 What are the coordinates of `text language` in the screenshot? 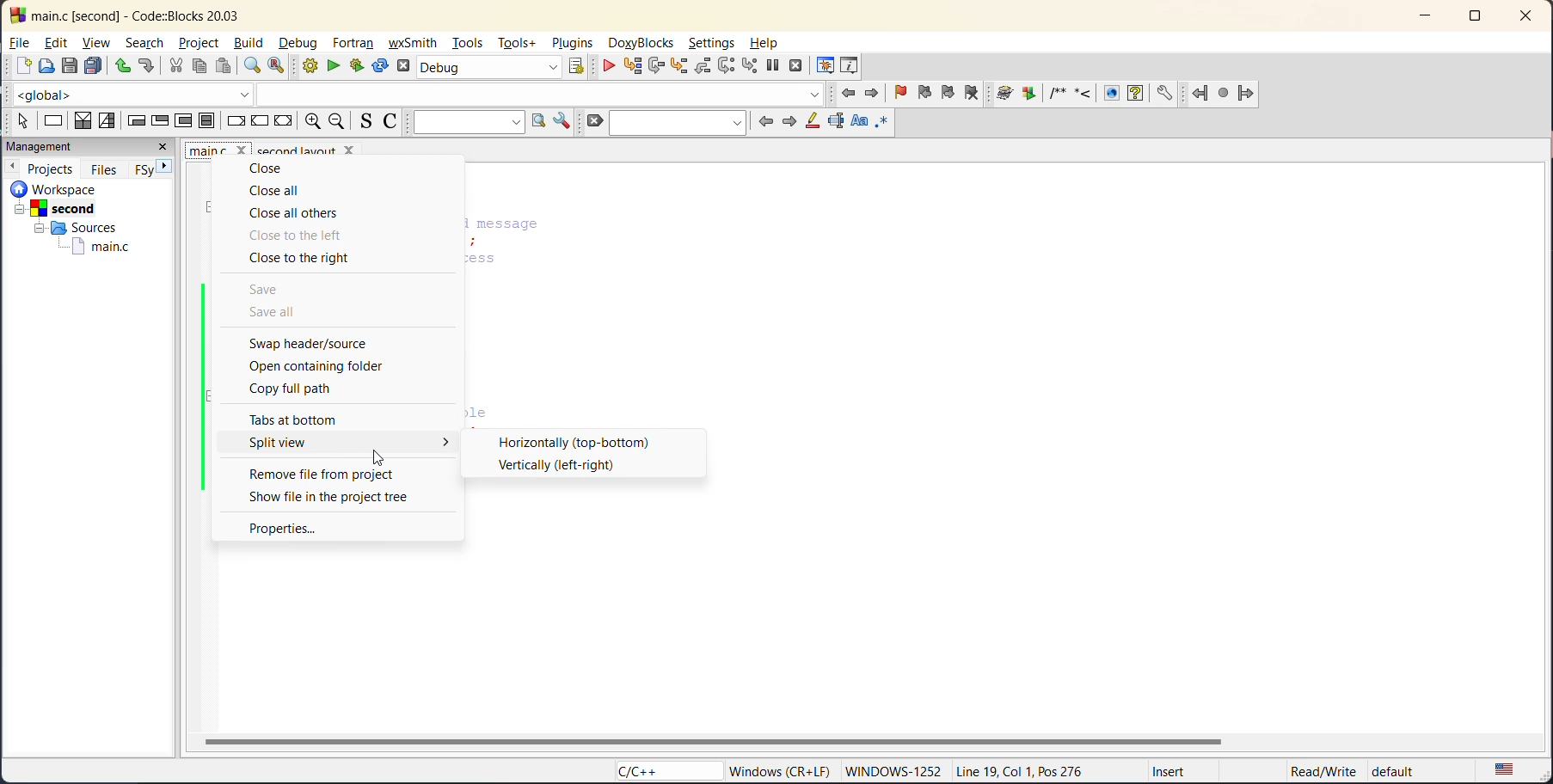 It's located at (1507, 770).